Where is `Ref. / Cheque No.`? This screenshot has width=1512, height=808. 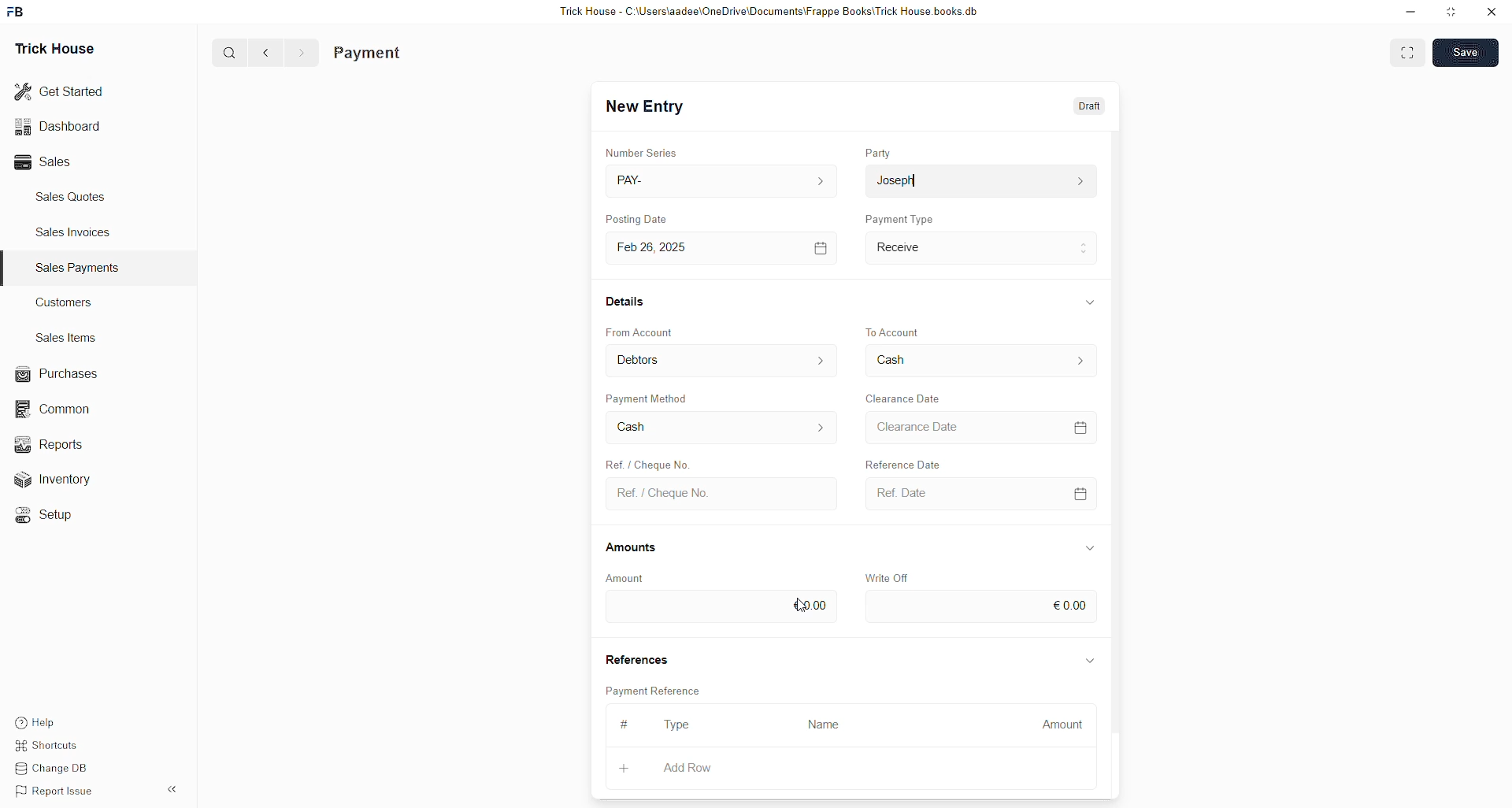
Ref. / Cheque No. is located at coordinates (724, 495).